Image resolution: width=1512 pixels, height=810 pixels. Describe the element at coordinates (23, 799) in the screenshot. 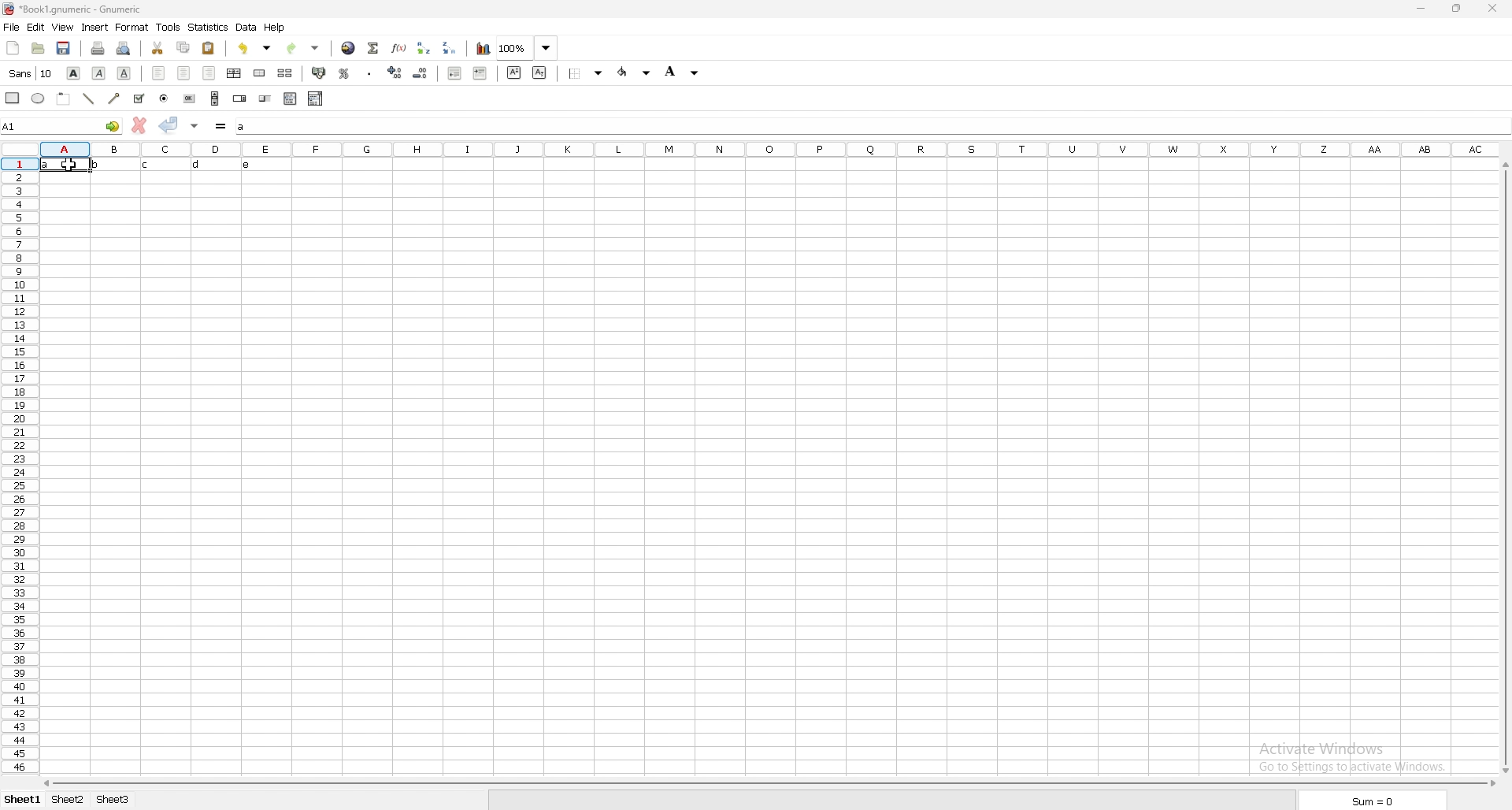

I see `sheet 1` at that location.